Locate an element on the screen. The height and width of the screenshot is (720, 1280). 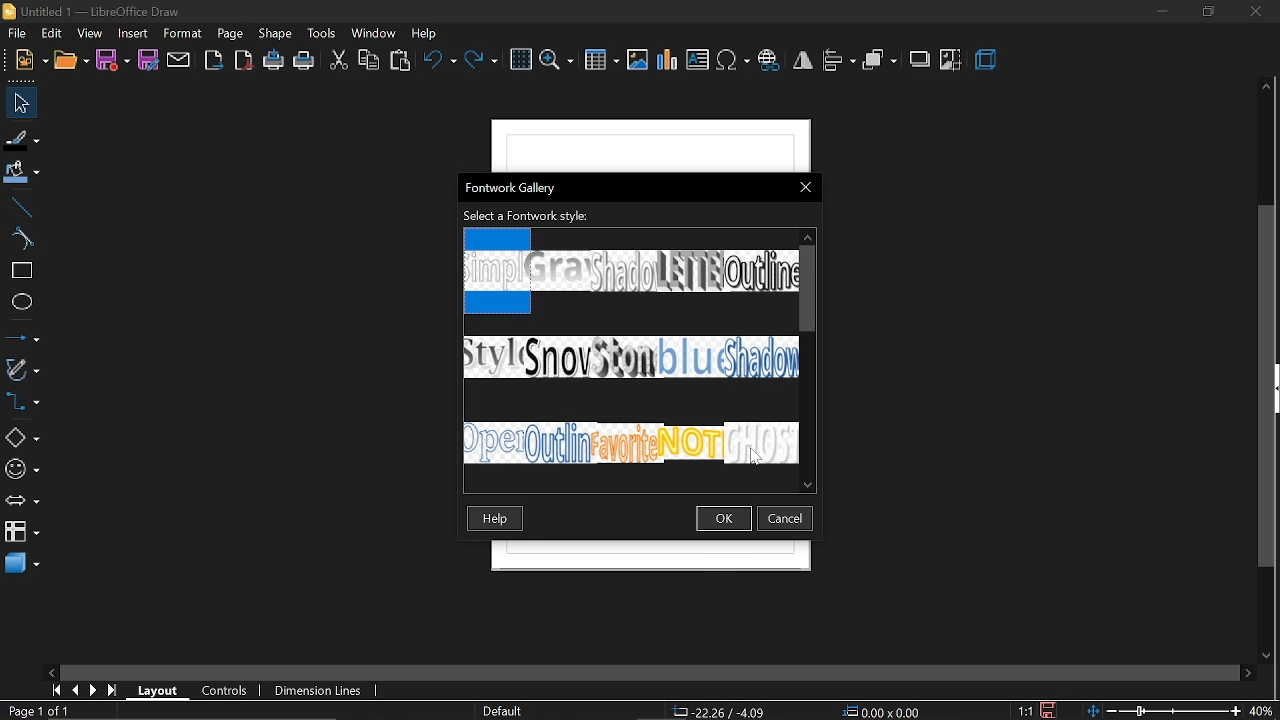
go to last page is located at coordinates (109, 691).